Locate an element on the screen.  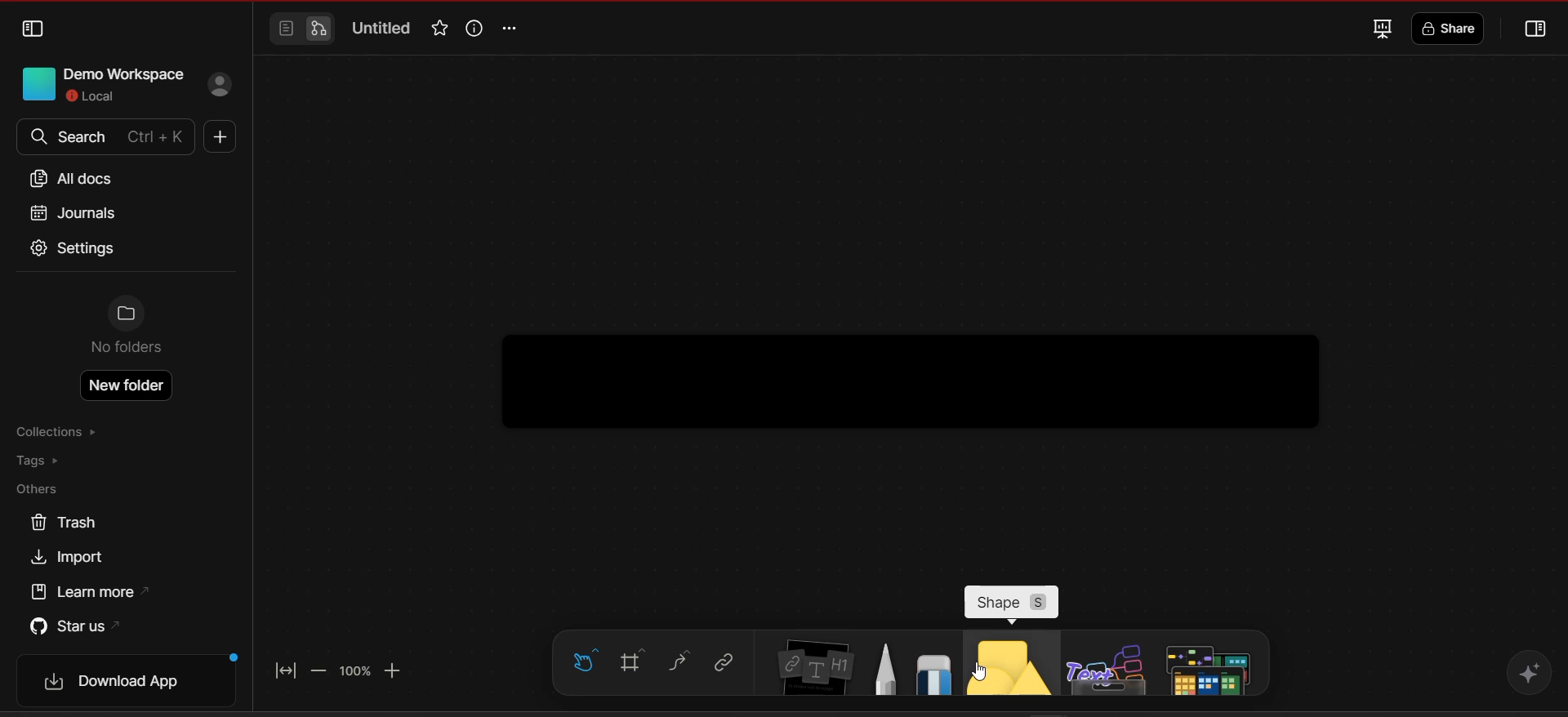
shapes is located at coordinates (1011, 664).